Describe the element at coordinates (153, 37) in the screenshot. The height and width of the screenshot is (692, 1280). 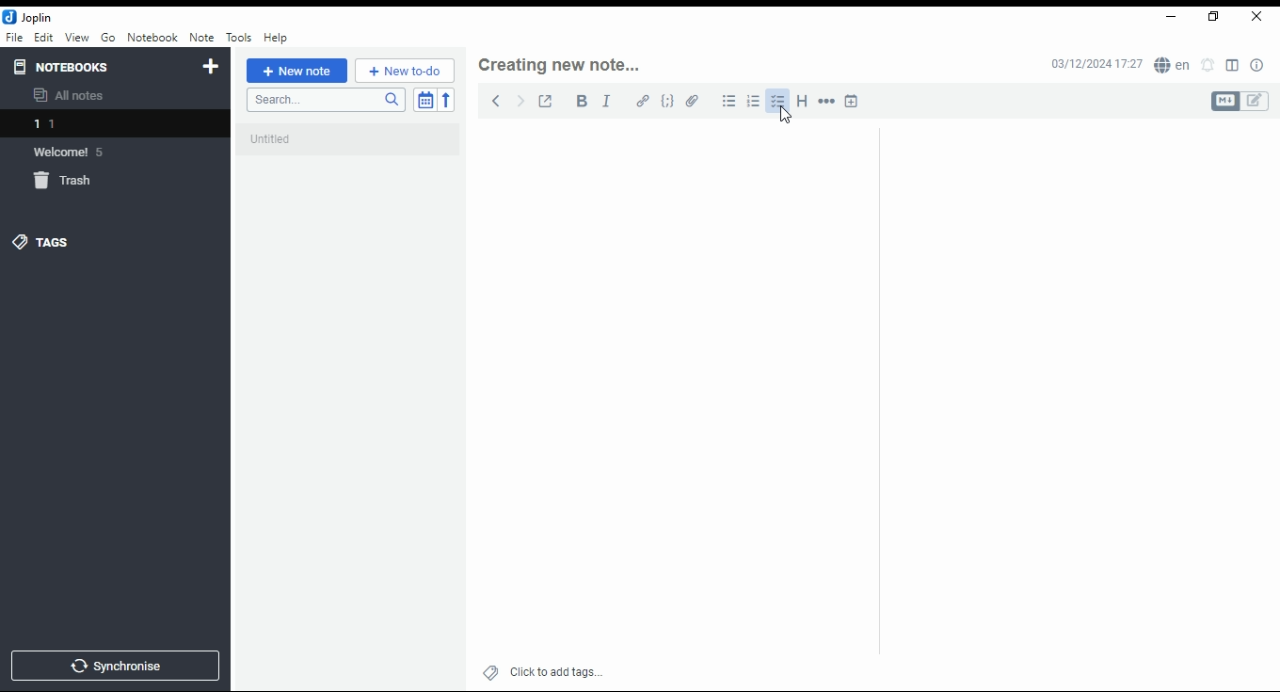
I see `notebook` at that location.